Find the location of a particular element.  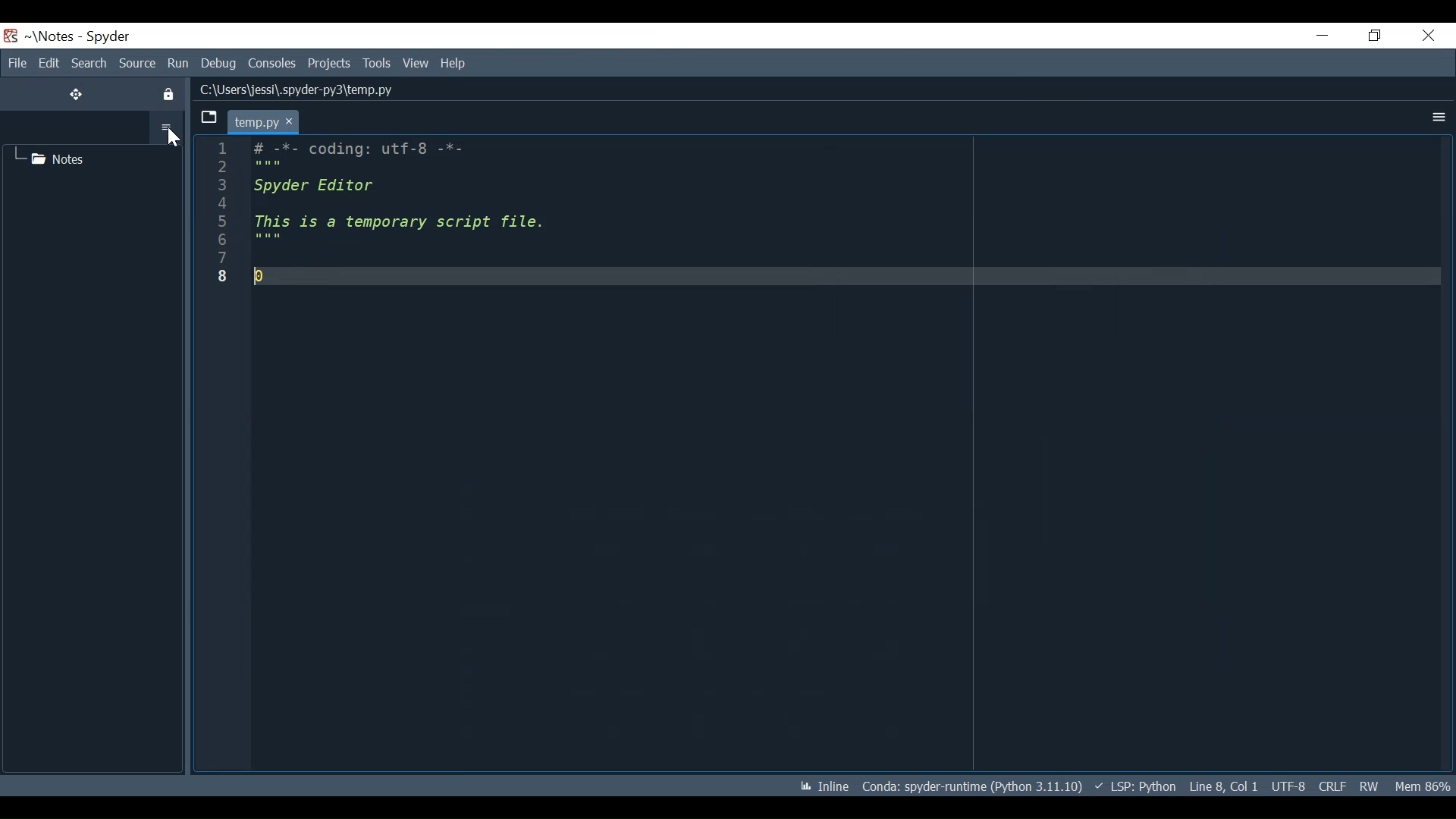

Consoles is located at coordinates (272, 64).